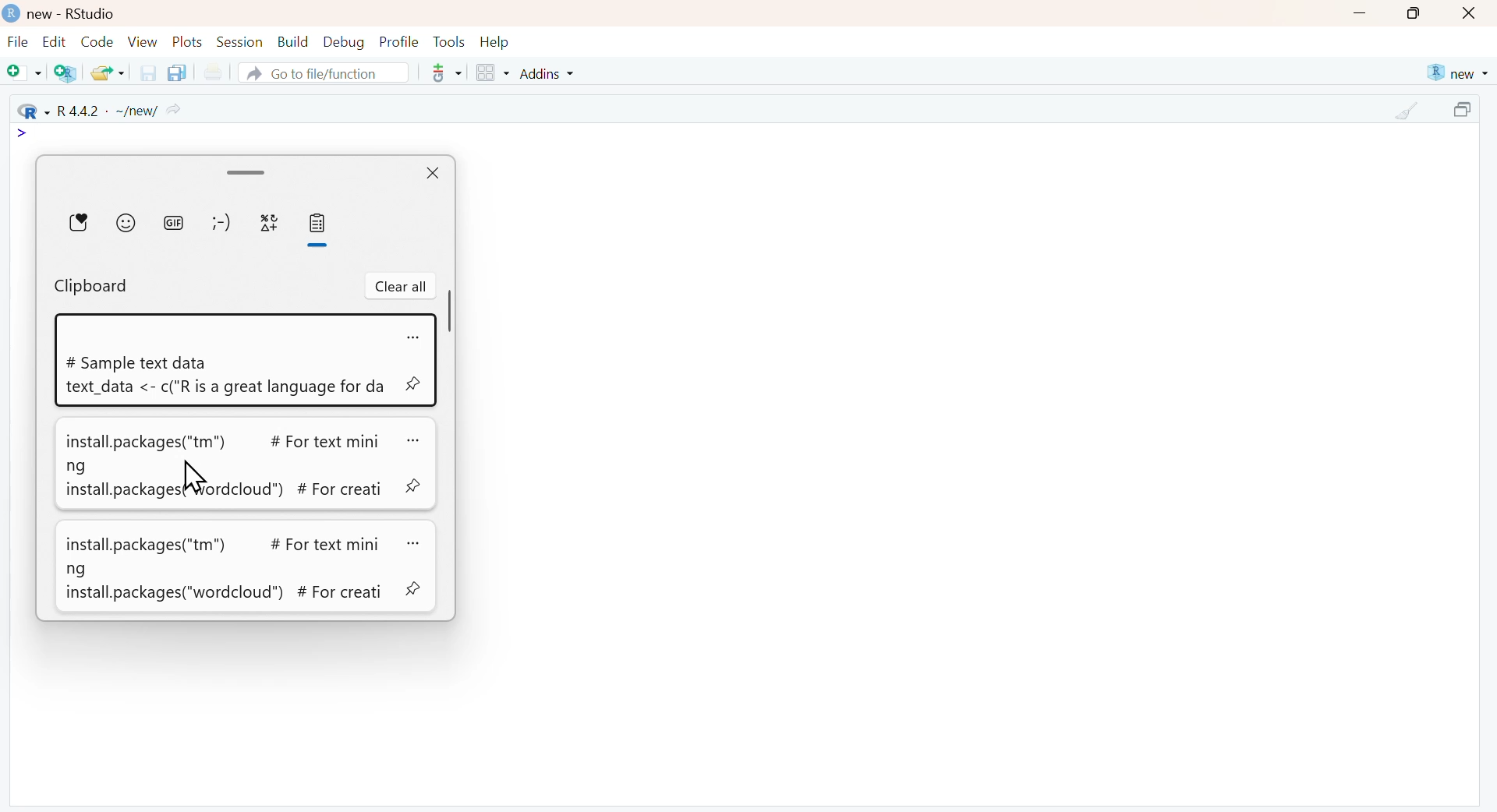 This screenshot has height=812, width=1497. I want to click on close, so click(1469, 14).